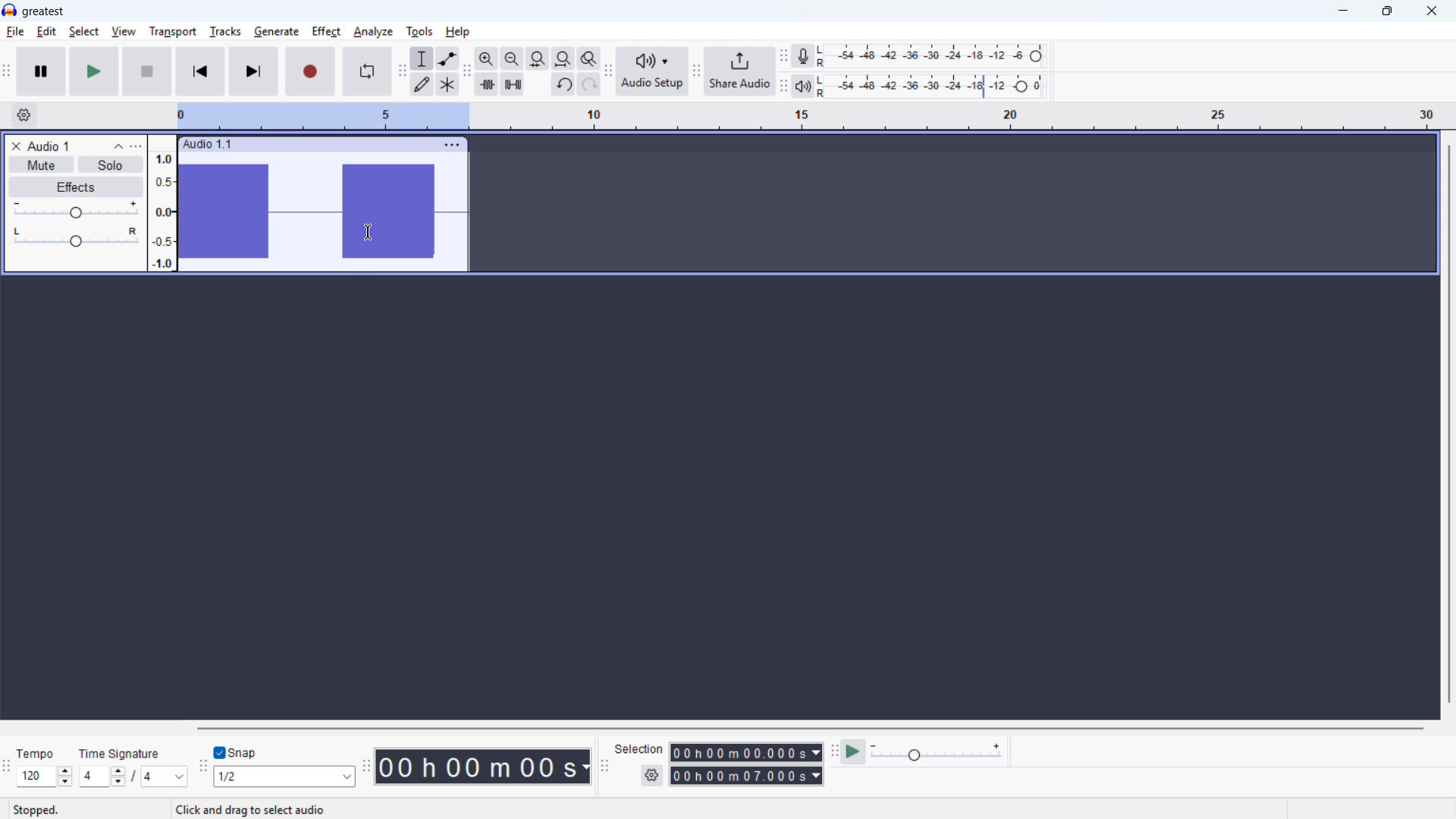 Image resolution: width=1456 pixels, height=819 pixels. Describe the element at coordinates (42, 12) in the screenshot. I see `Greatest ` at that location.